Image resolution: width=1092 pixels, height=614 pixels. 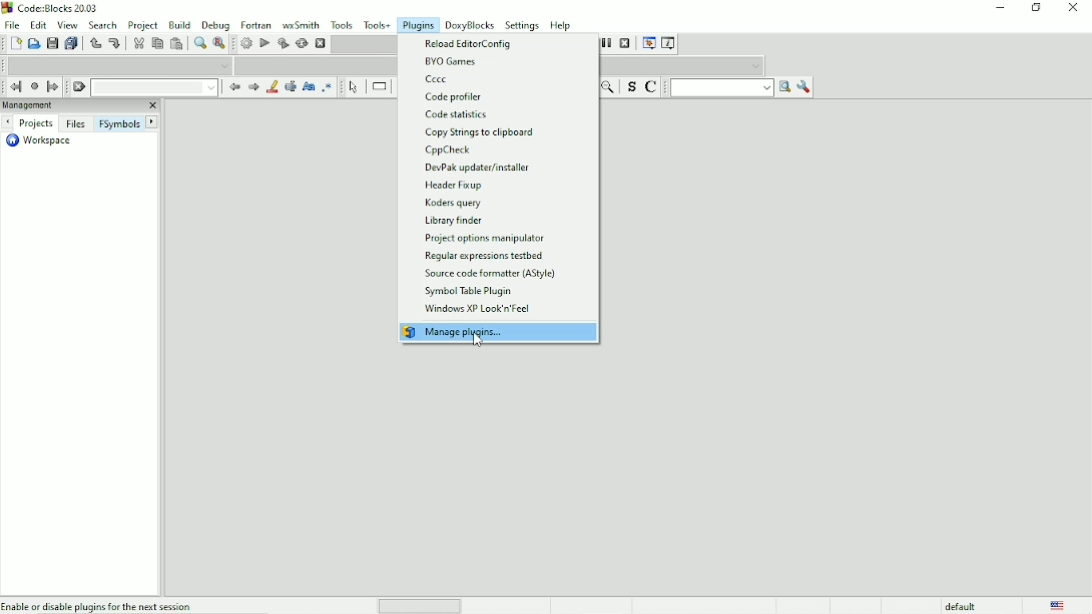 I want to click on Replace, so click(x=219, y=44).